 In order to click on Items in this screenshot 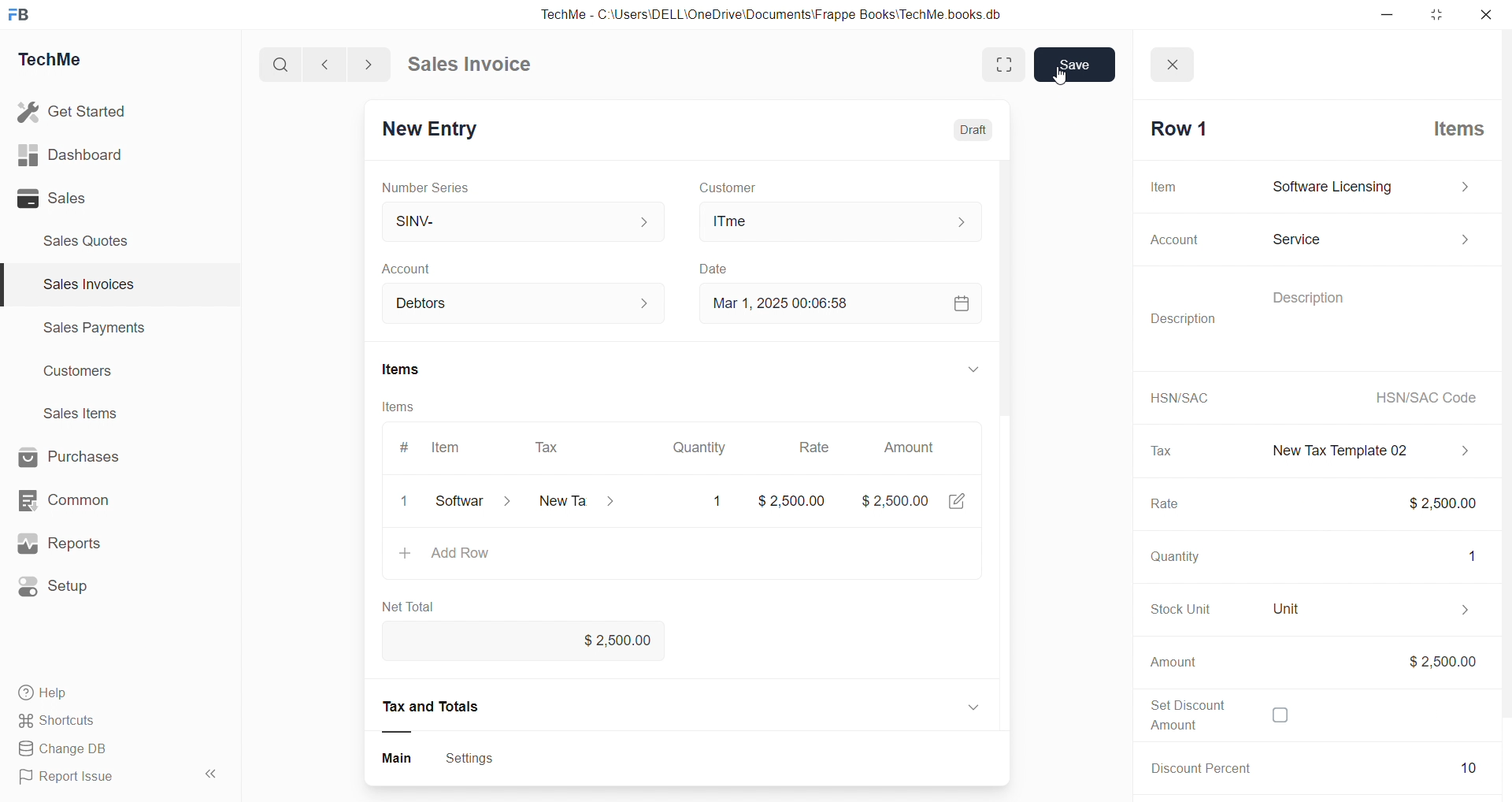, I will do `click(1451, 127)`.